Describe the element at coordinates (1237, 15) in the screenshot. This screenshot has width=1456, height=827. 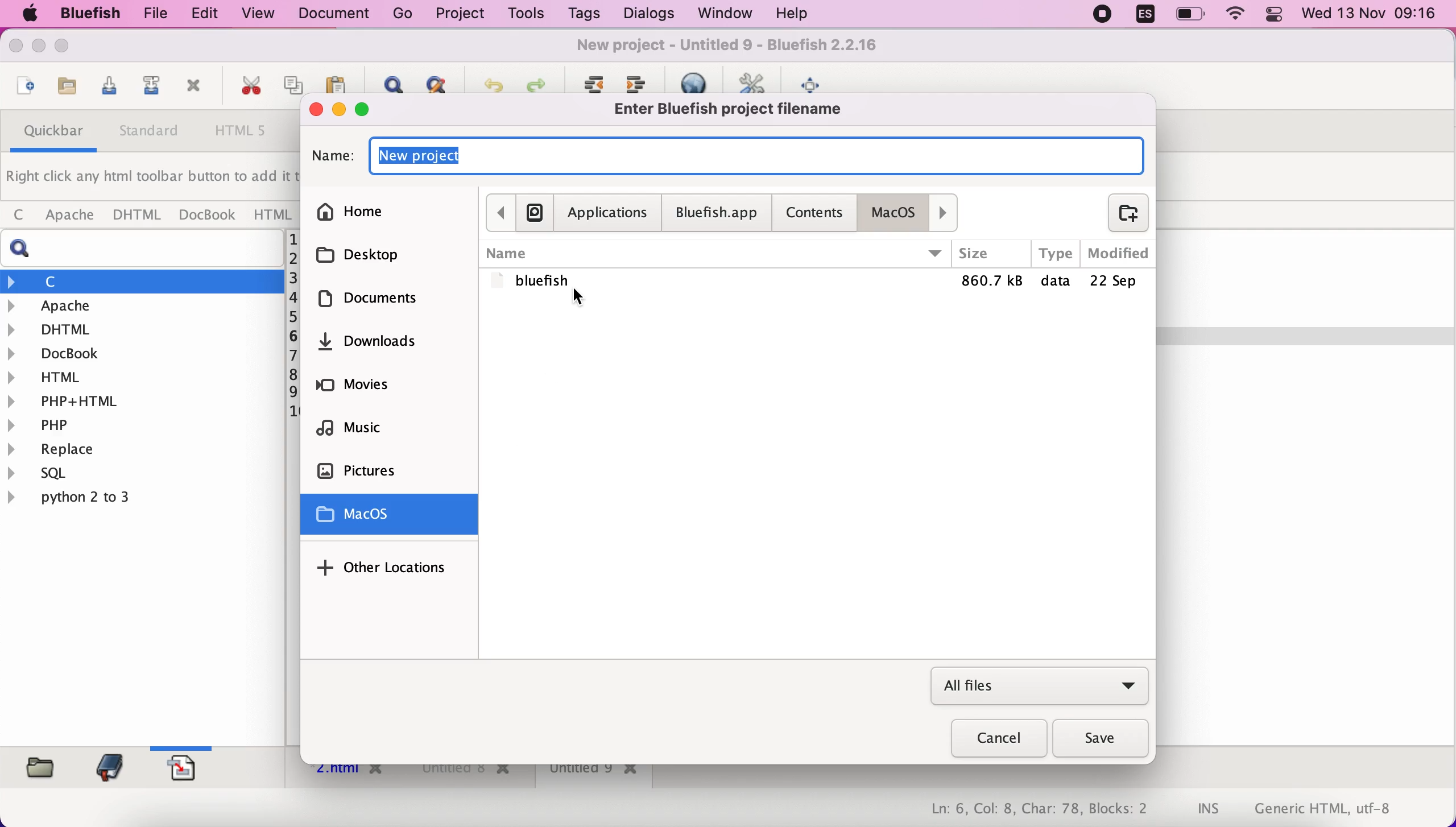
I see `wifi` at that location.